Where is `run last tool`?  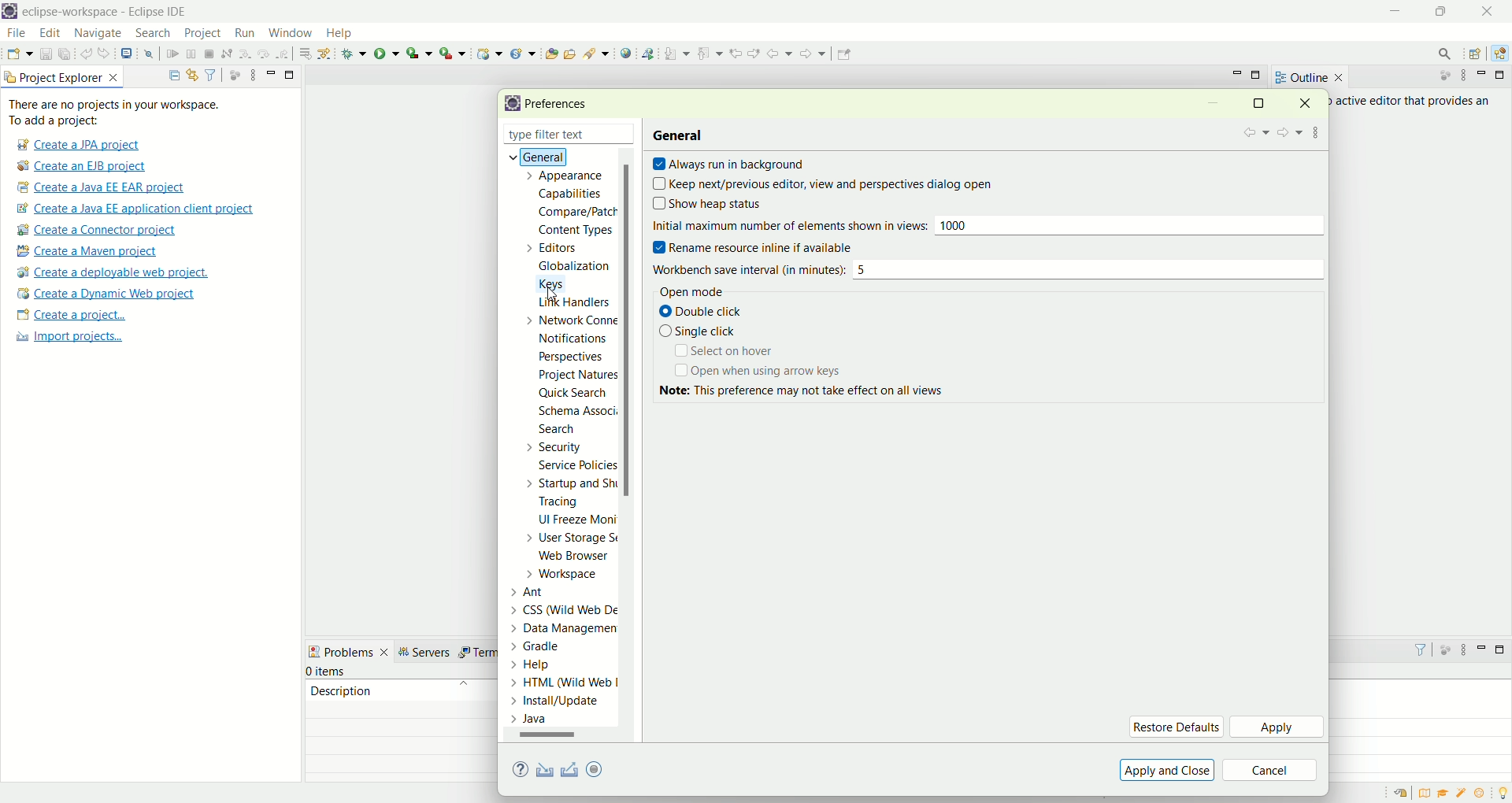 run last tool is located at coordinates (454, 53).